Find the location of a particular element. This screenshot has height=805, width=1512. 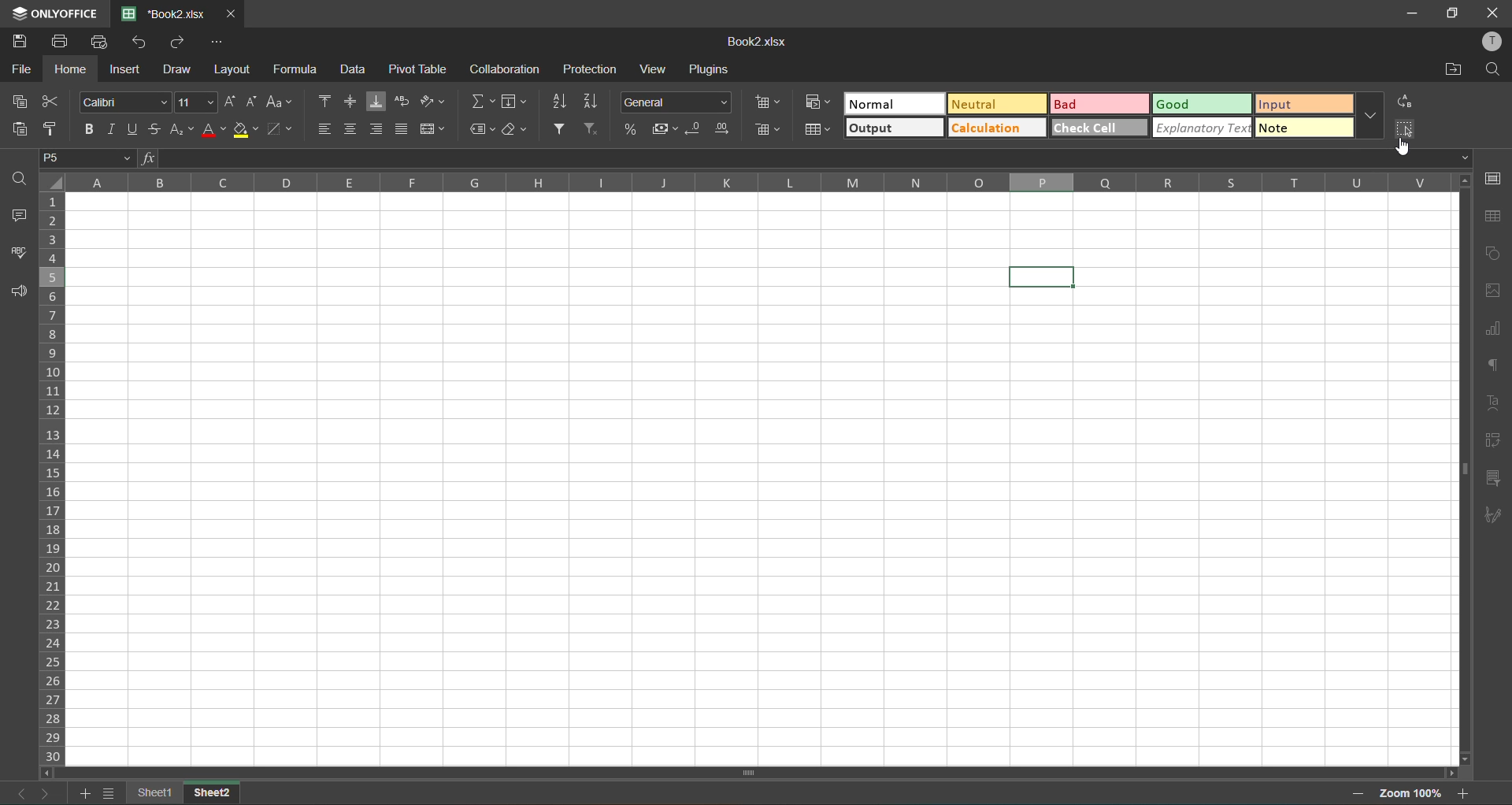

feedback is located at coordinates (19, 292).